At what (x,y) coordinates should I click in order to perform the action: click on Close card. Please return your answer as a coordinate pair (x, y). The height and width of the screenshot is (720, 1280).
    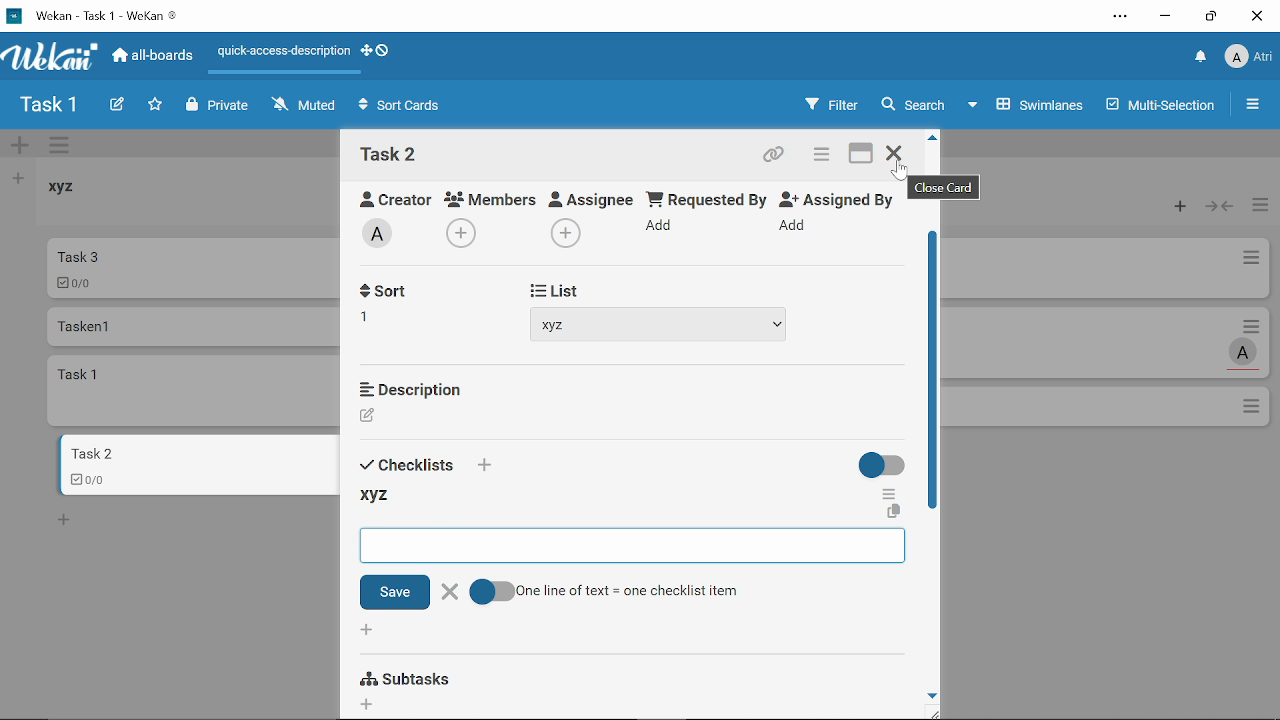
    Looking at the image, I should click on (896, 156).